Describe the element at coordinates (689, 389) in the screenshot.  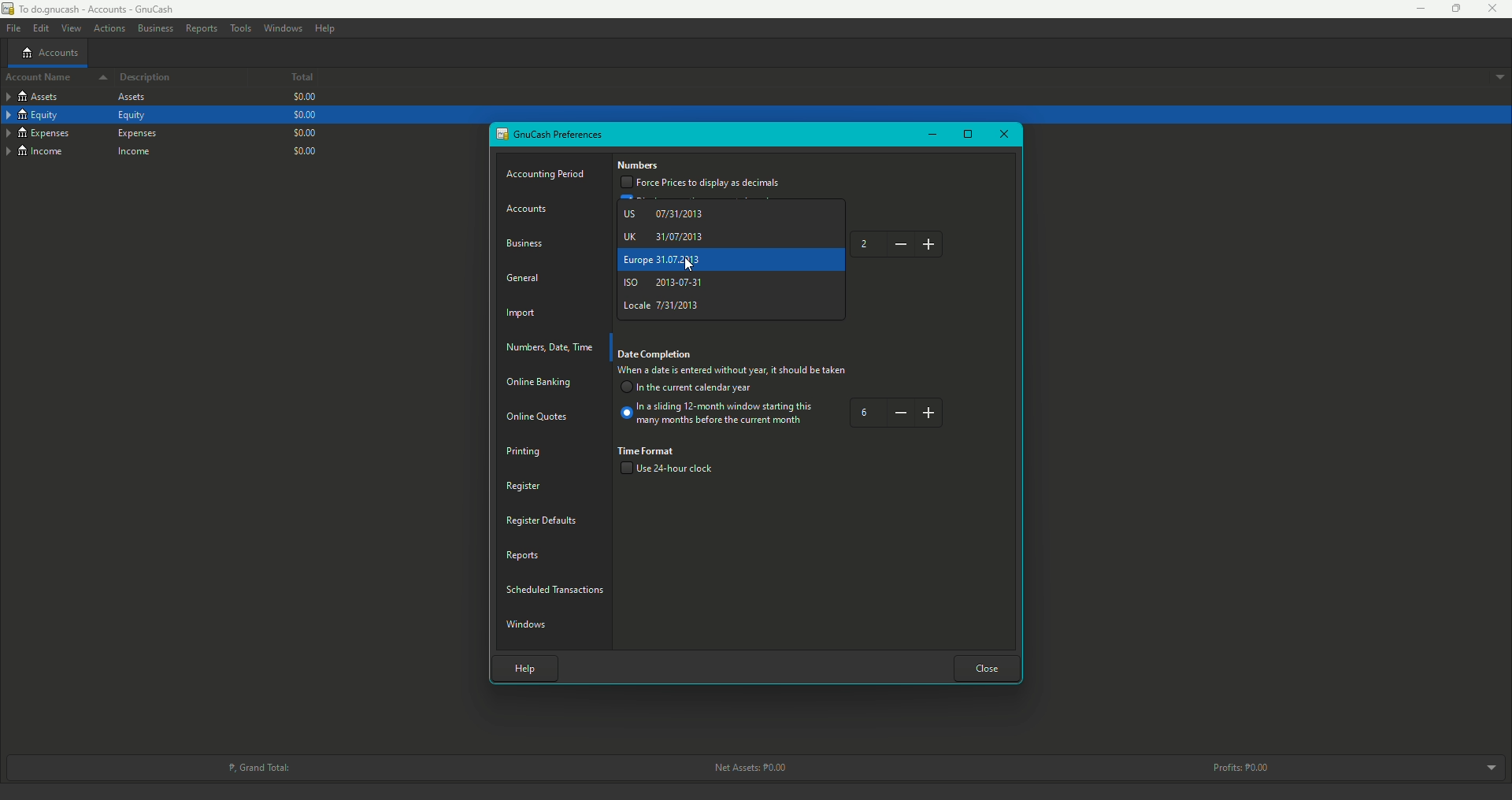
I see `In the current calendar year` at that location.